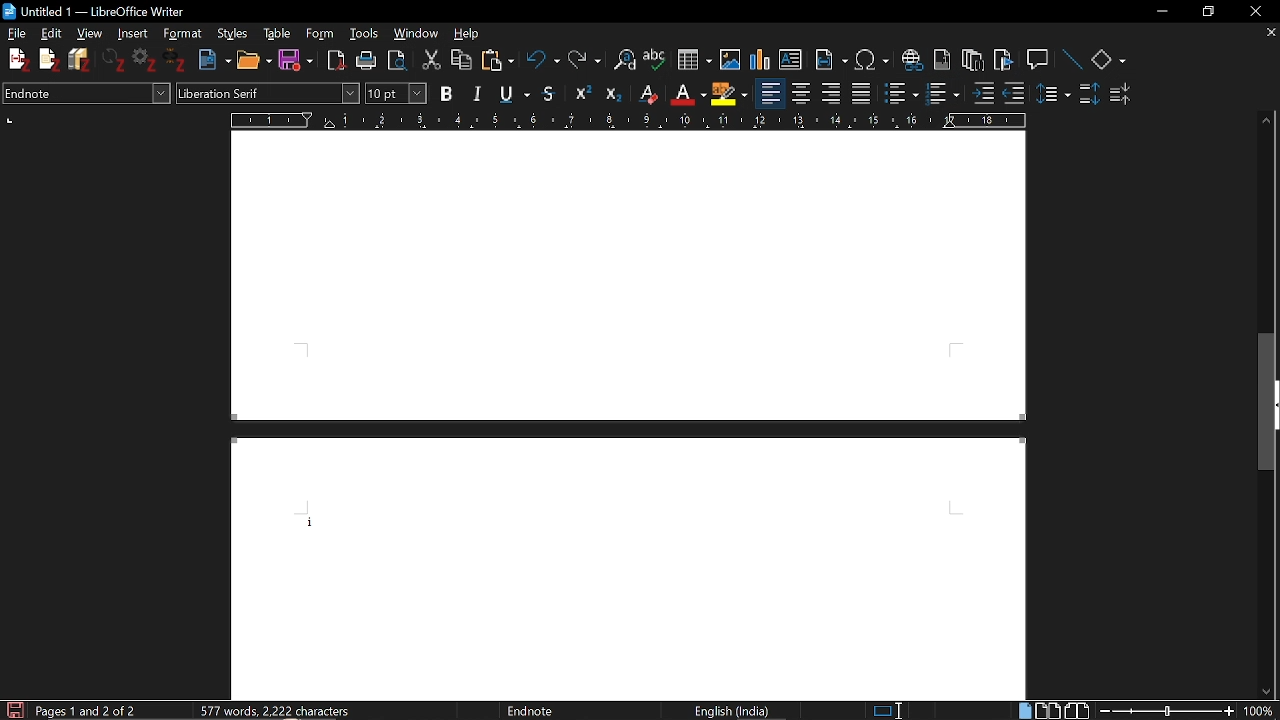 The width and height of the screenshot is (1280, 720). What do you see at coordinates (582, 94) in the screenshot?
I see `Superscript` at bounding box center [582, 94].